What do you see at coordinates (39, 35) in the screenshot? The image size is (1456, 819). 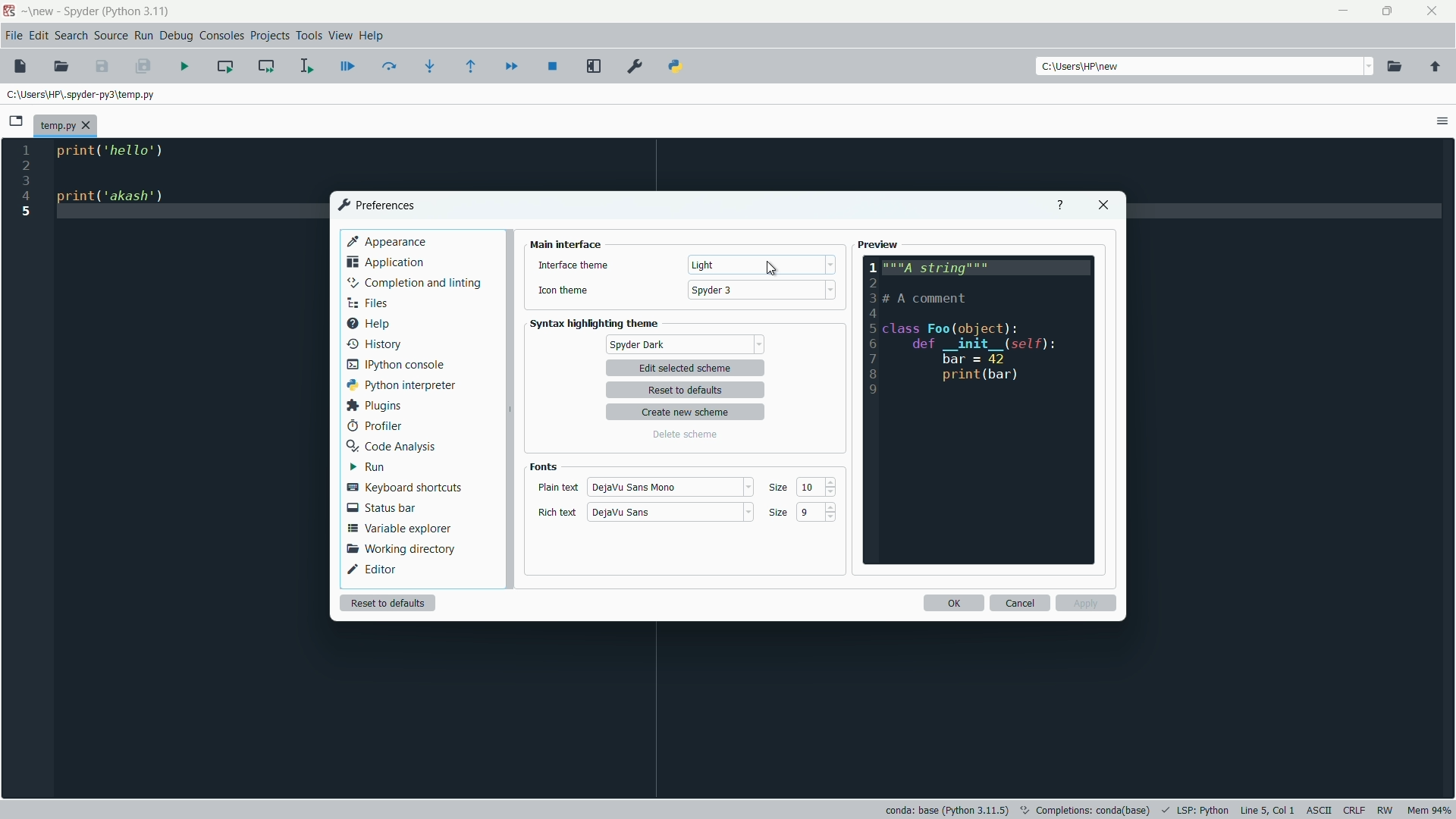 I see `edit menu` at bounding box center [39, 35].